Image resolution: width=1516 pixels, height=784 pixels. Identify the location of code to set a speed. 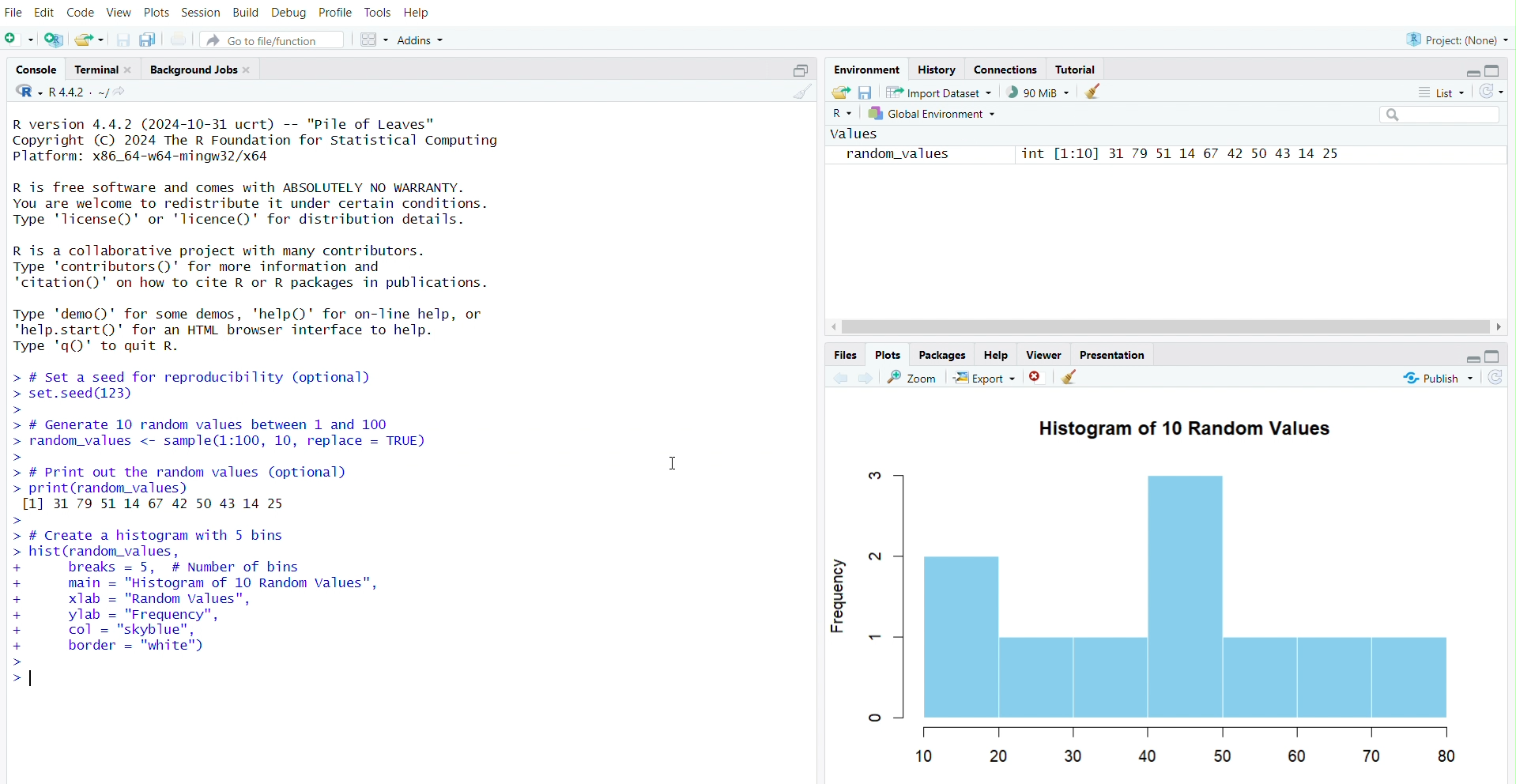
(218, 390).